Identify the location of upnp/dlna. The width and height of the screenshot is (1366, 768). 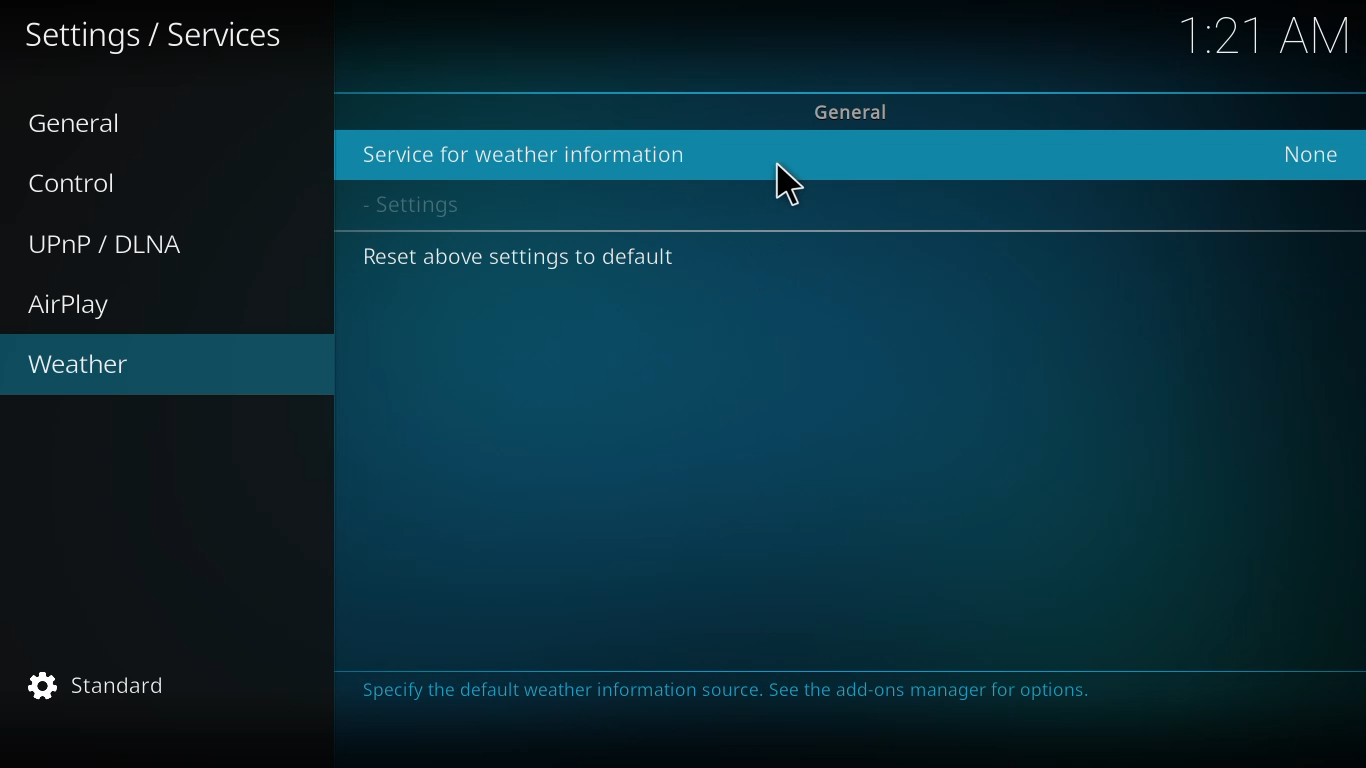
(110, 244).